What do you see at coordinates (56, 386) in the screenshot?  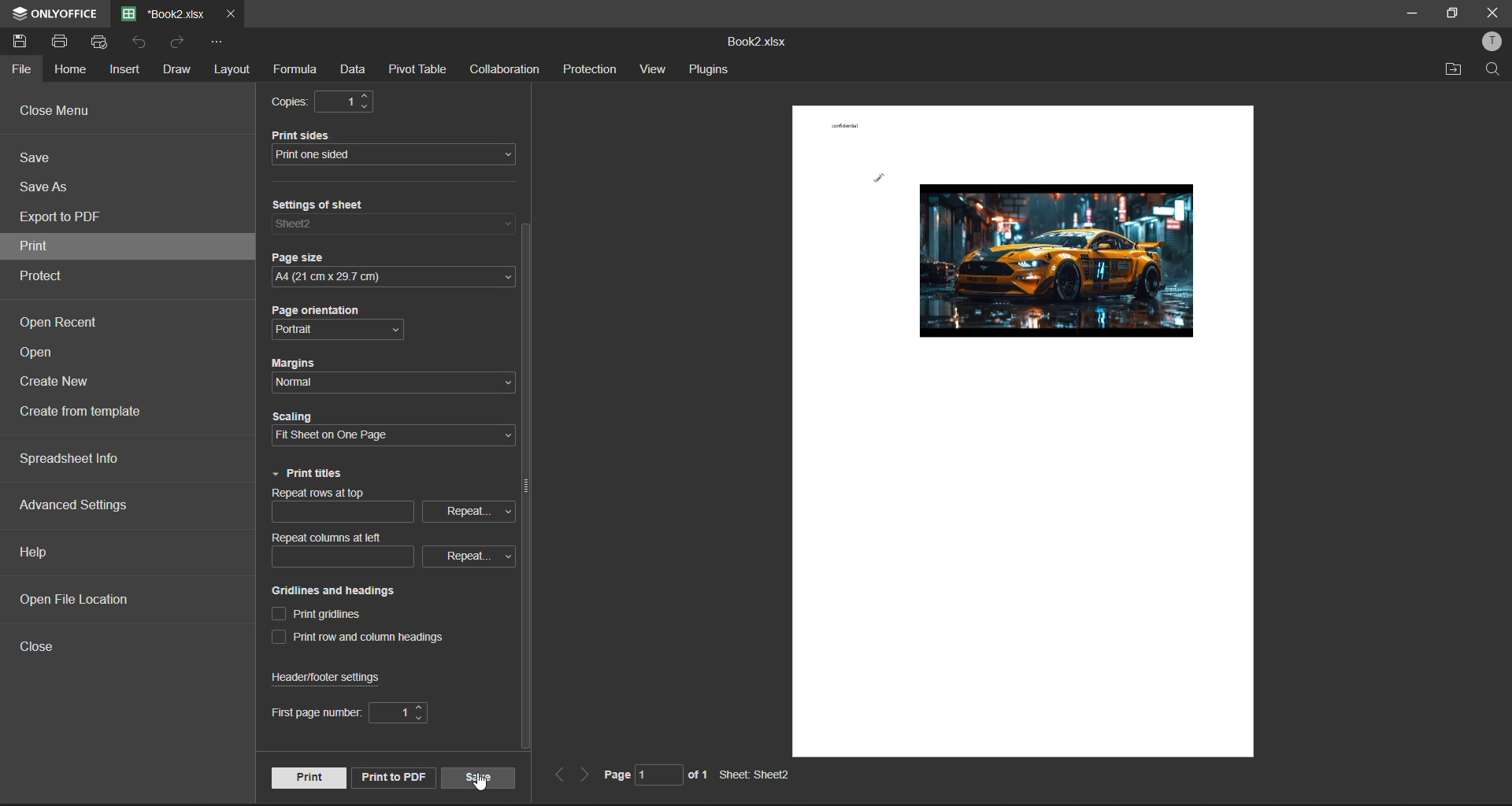 I see `create new` at bounding box center [56, 386].